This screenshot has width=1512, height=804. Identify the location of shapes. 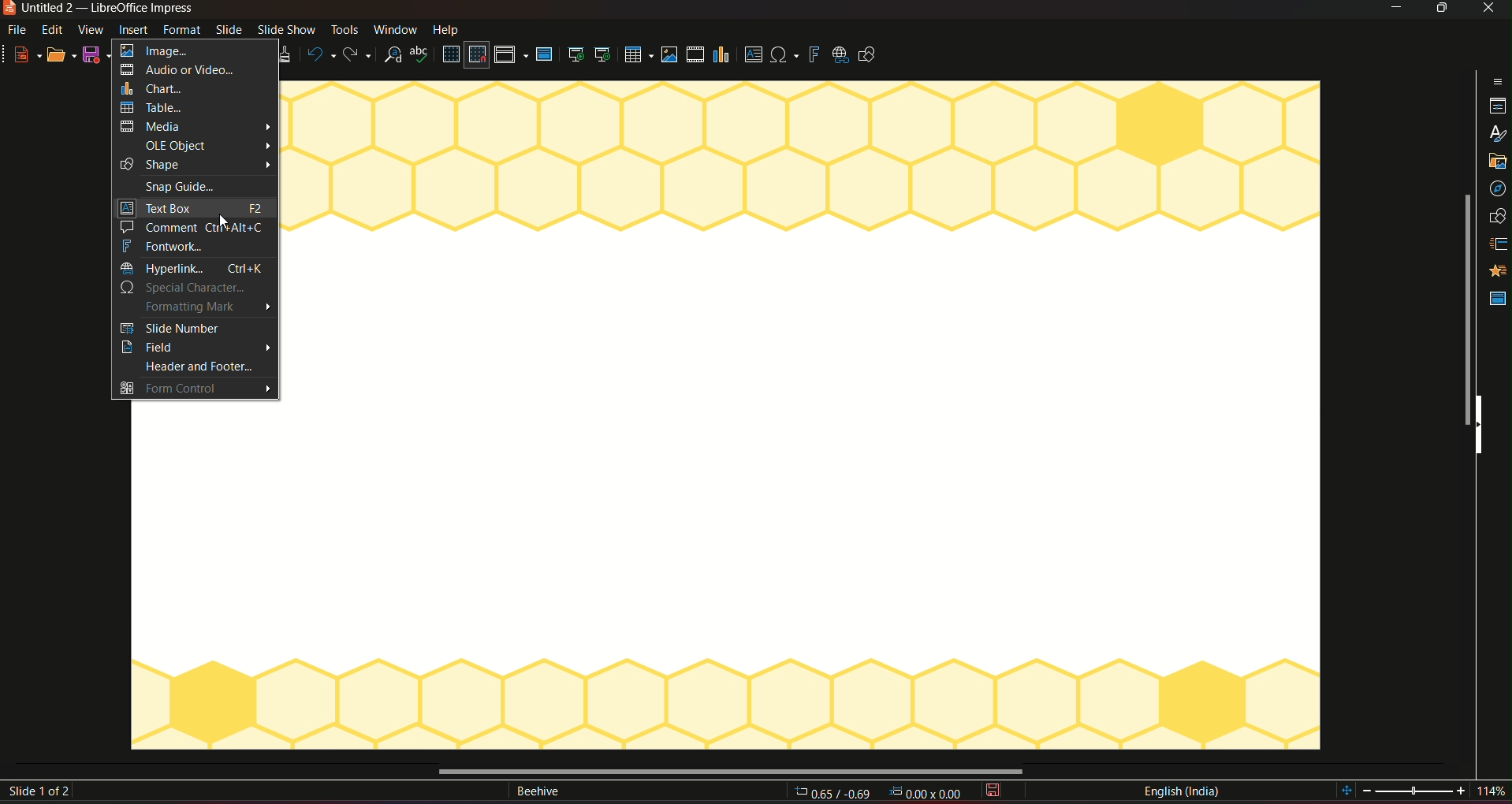
(1499, 216).